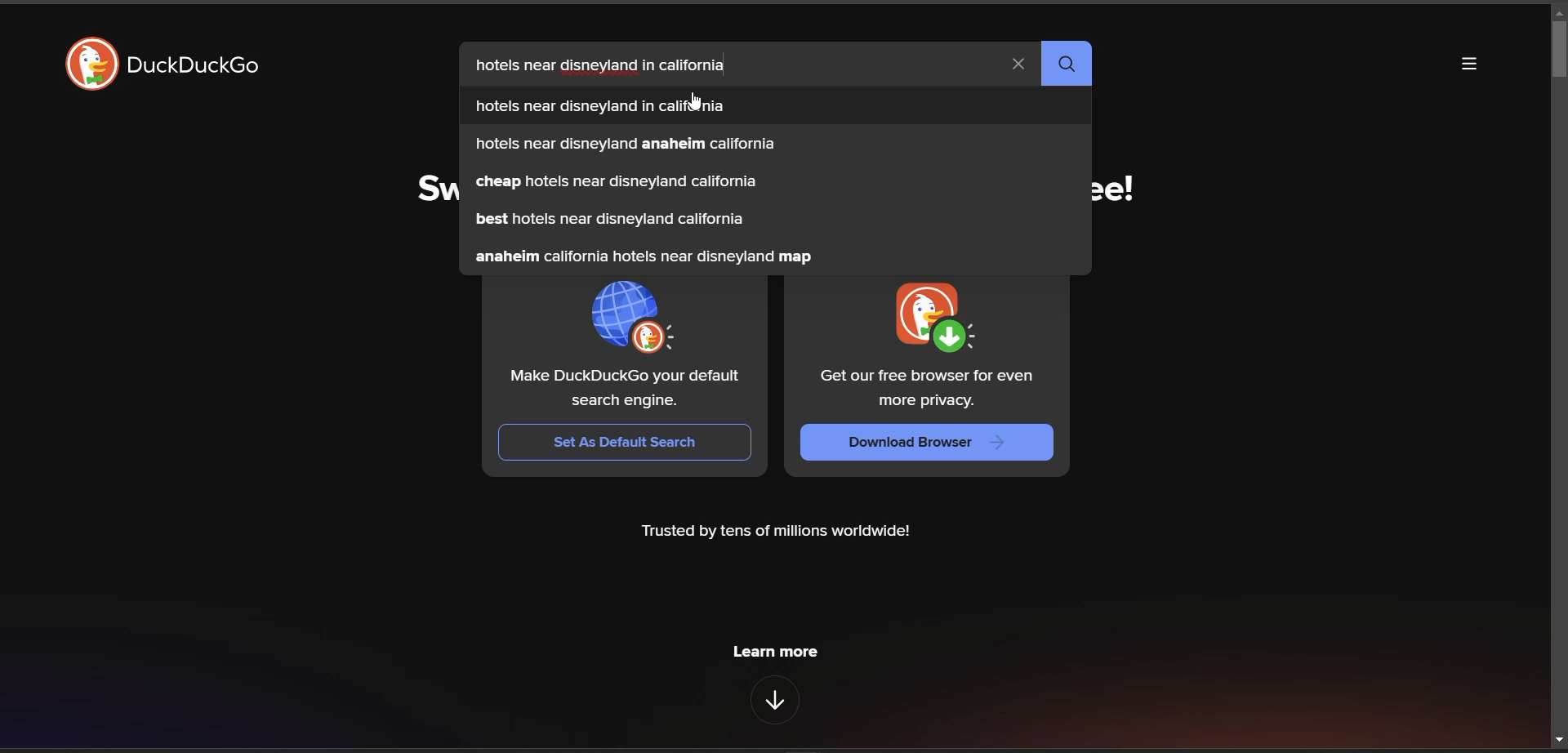 The image size is (1568, 753). What do you see at coordinates (608, 220) in the screenshot?
I see `best hotels near disneyland california` at bounding box center [608, 220].